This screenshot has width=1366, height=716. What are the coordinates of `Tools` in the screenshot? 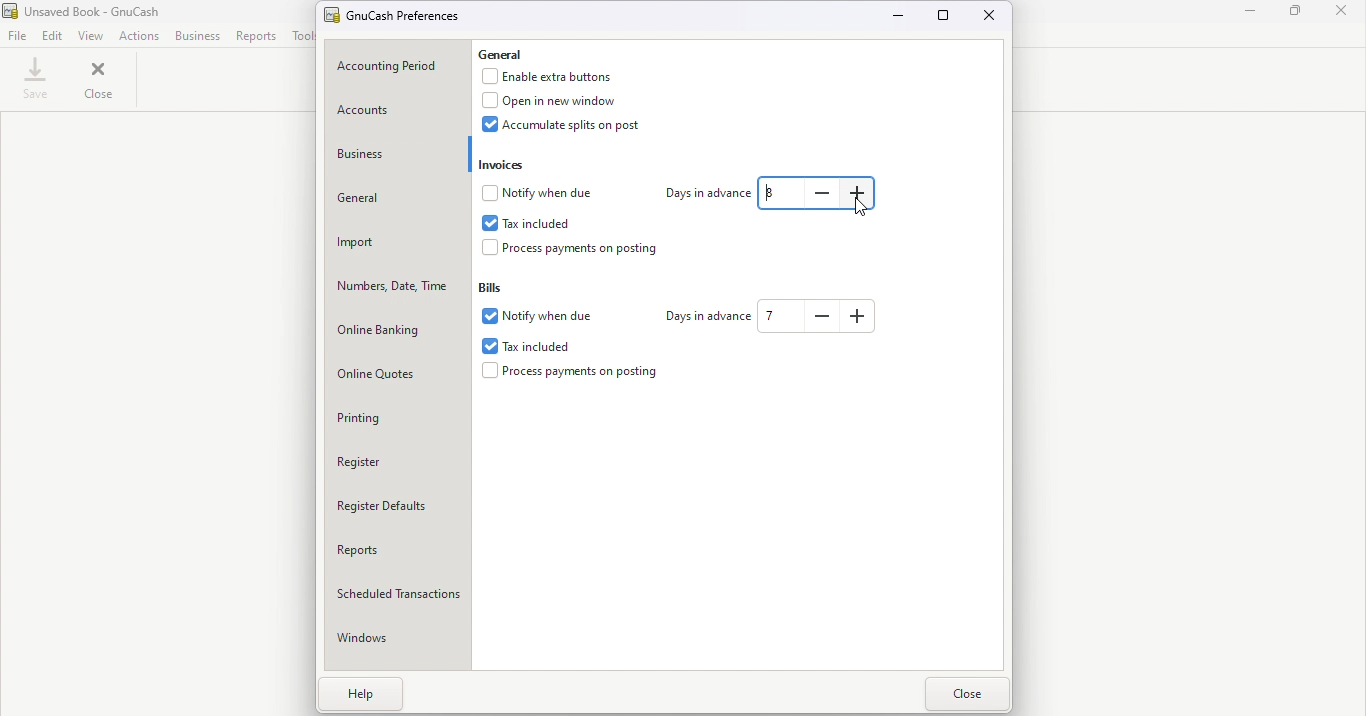 It's located at (302, 36).